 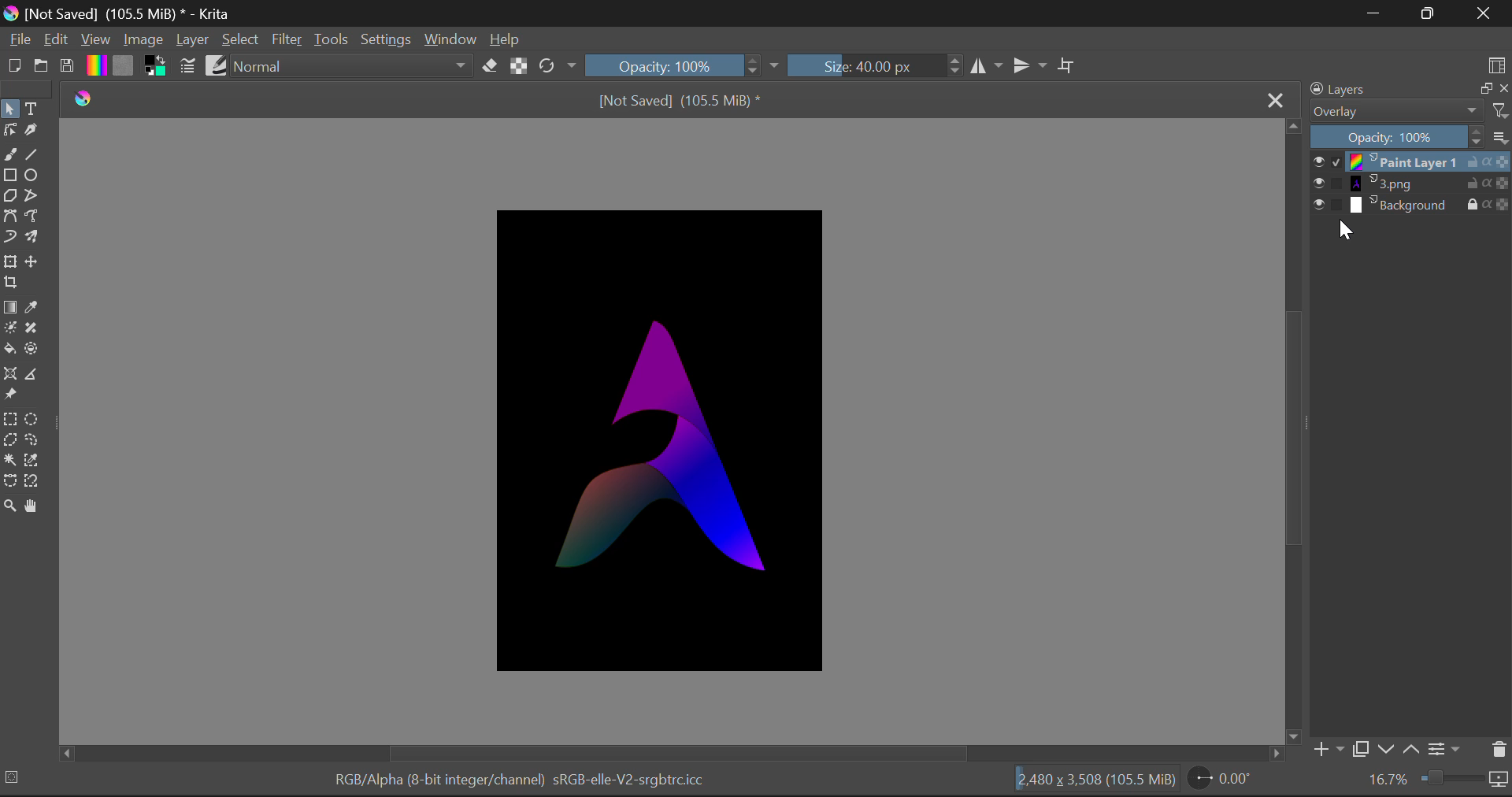 What do you see at coordinates (157, 67) in the screenshot?
I see `Colors in use` at bounding box center [157, 67].